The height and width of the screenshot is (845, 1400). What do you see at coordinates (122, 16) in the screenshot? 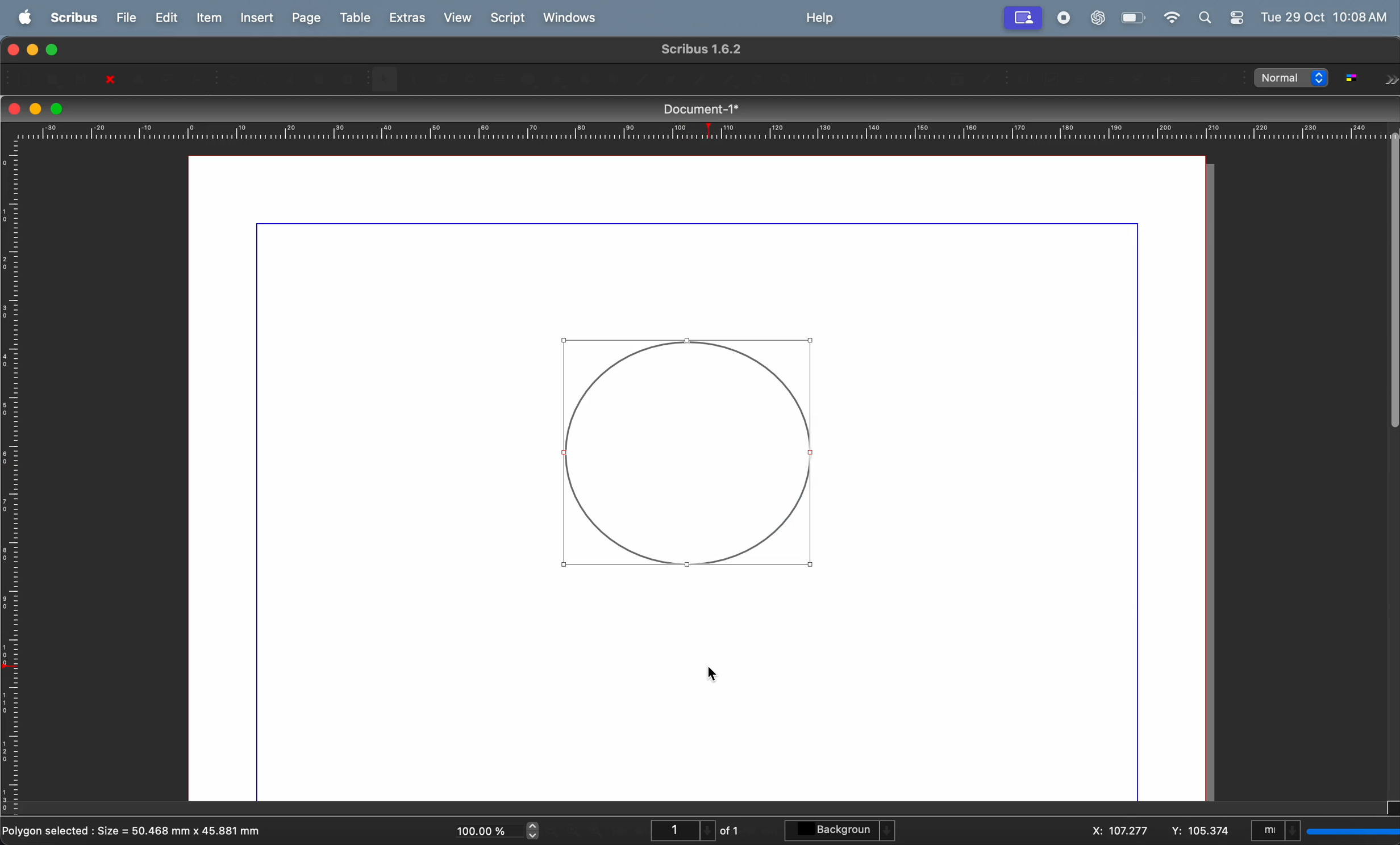
I see `file` at bounding box center [122, 16].